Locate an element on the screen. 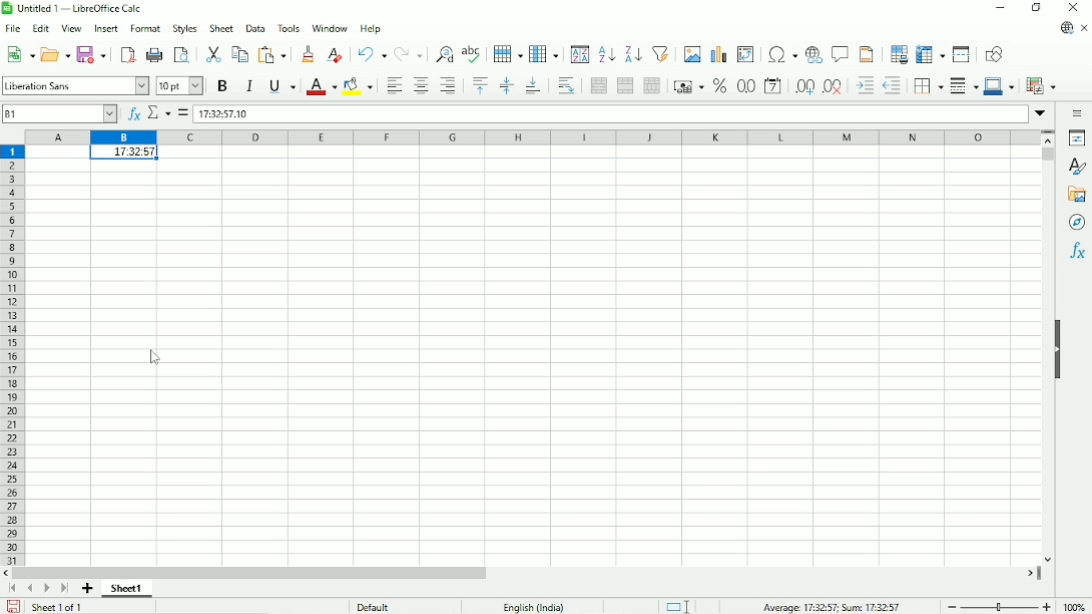  Conditional is located at coordinates (1040, 85).